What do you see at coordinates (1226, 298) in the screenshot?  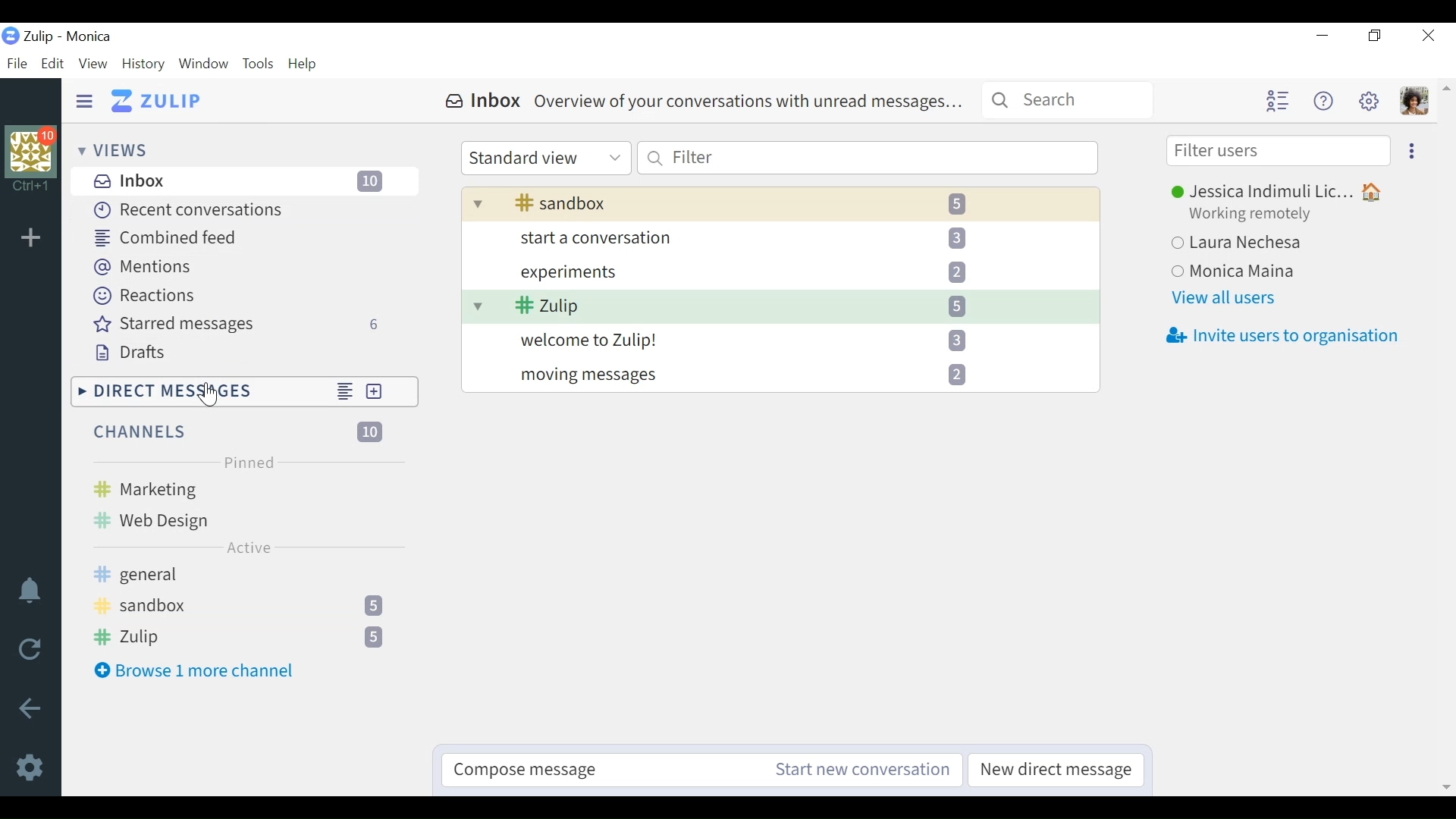 I see `View all users` at bounding box center [1226, 298].